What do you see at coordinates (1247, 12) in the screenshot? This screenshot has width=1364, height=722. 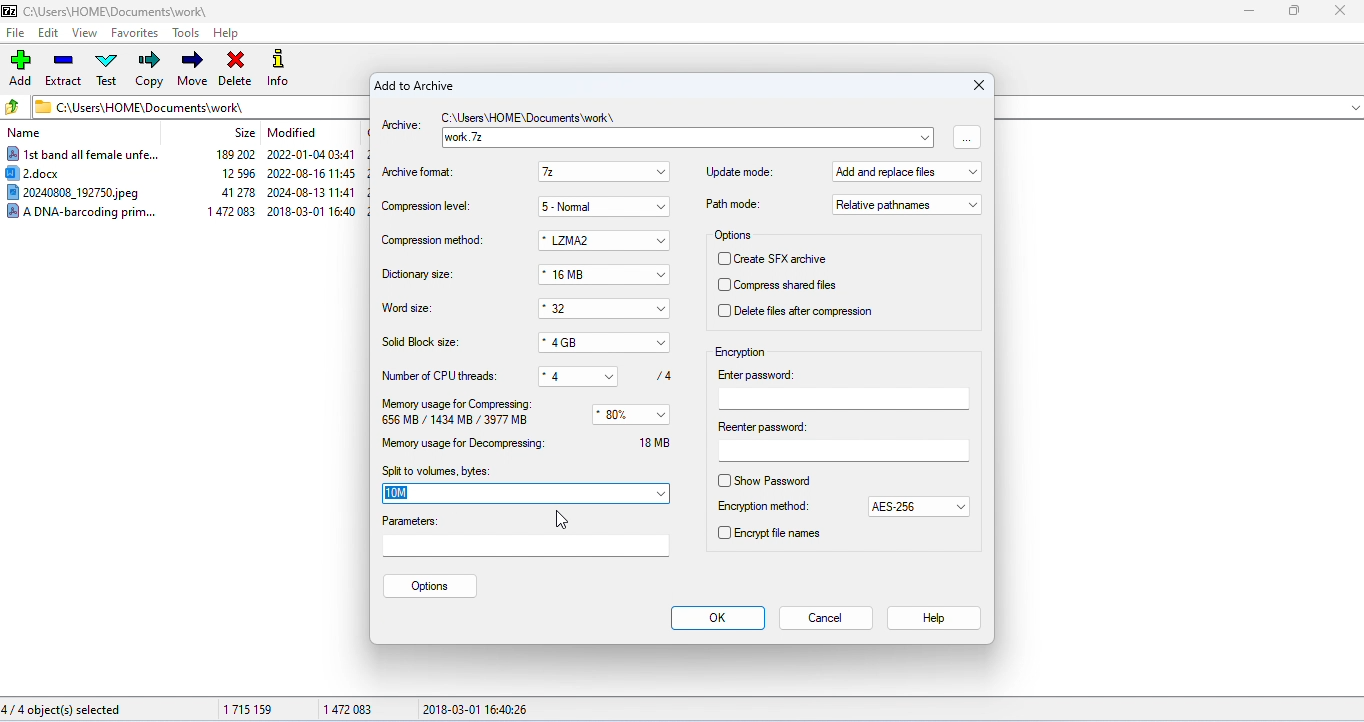 I see `minimize` at bounding box center [1247, 12].